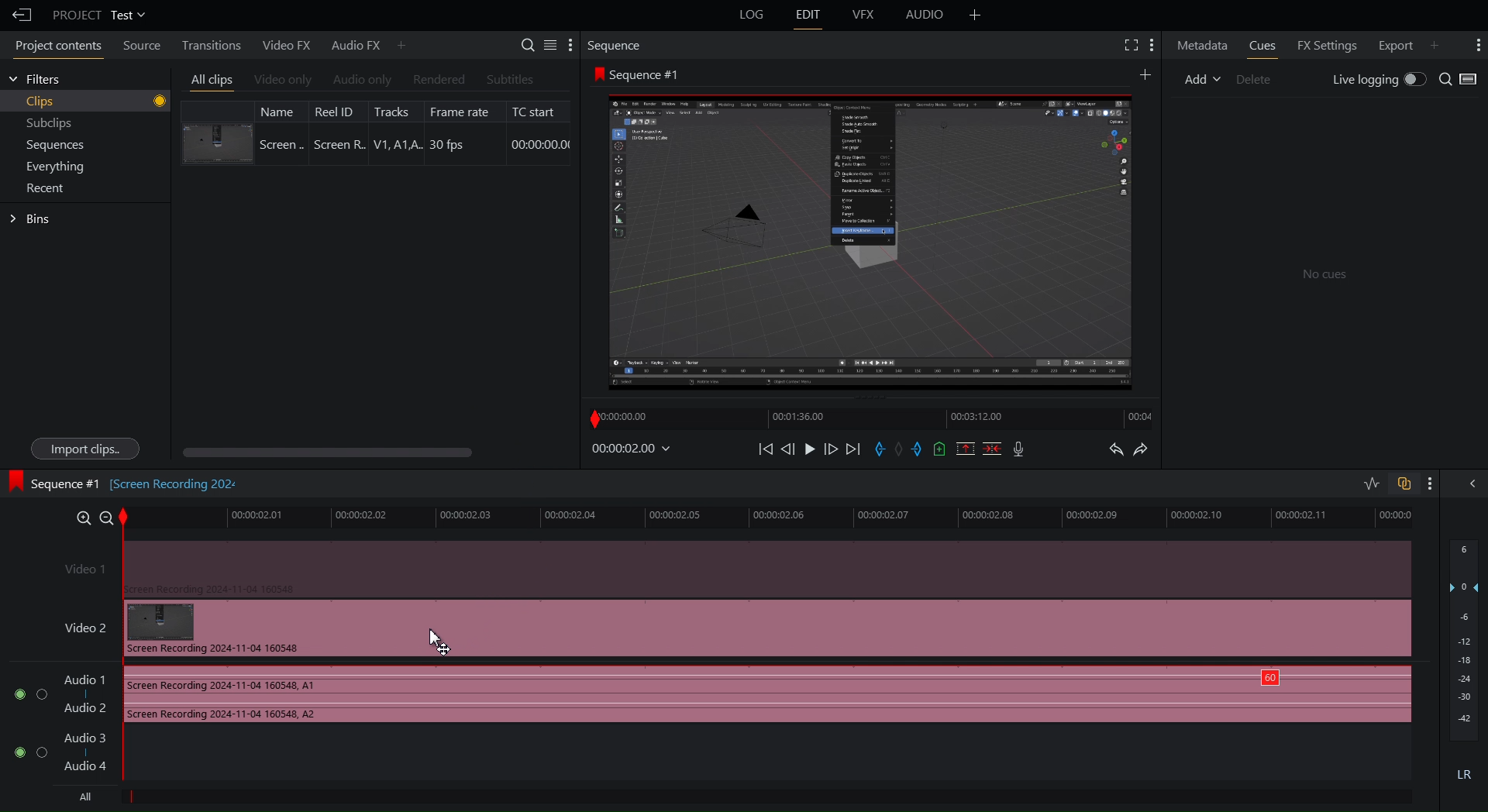  What do you see at coordinates (81, 797) in the screenshot?
I see `All` at bounding box center [81, 797].